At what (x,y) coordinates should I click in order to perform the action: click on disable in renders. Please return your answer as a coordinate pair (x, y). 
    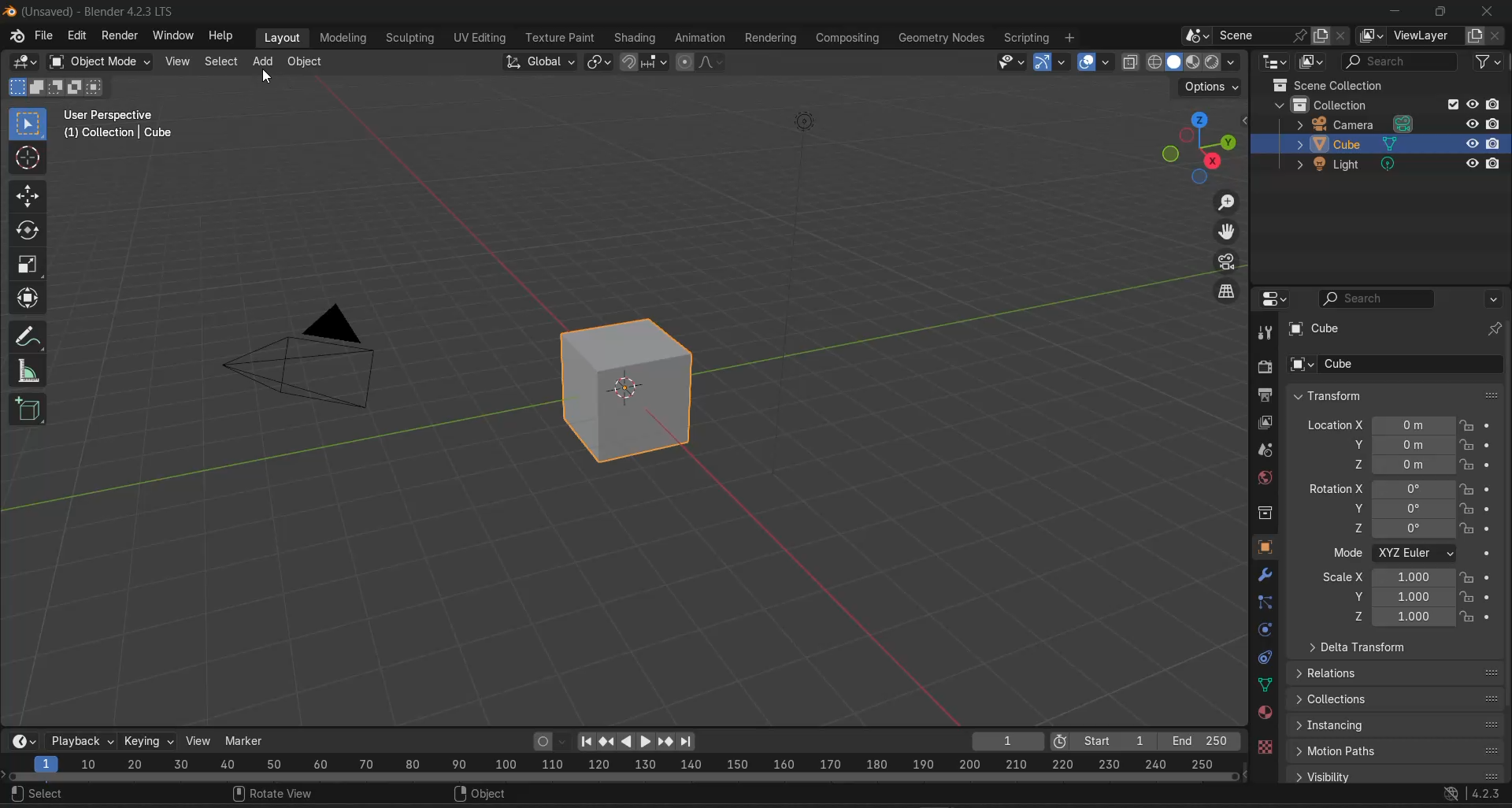
    Looking at the image, I should click on (1495, 104).